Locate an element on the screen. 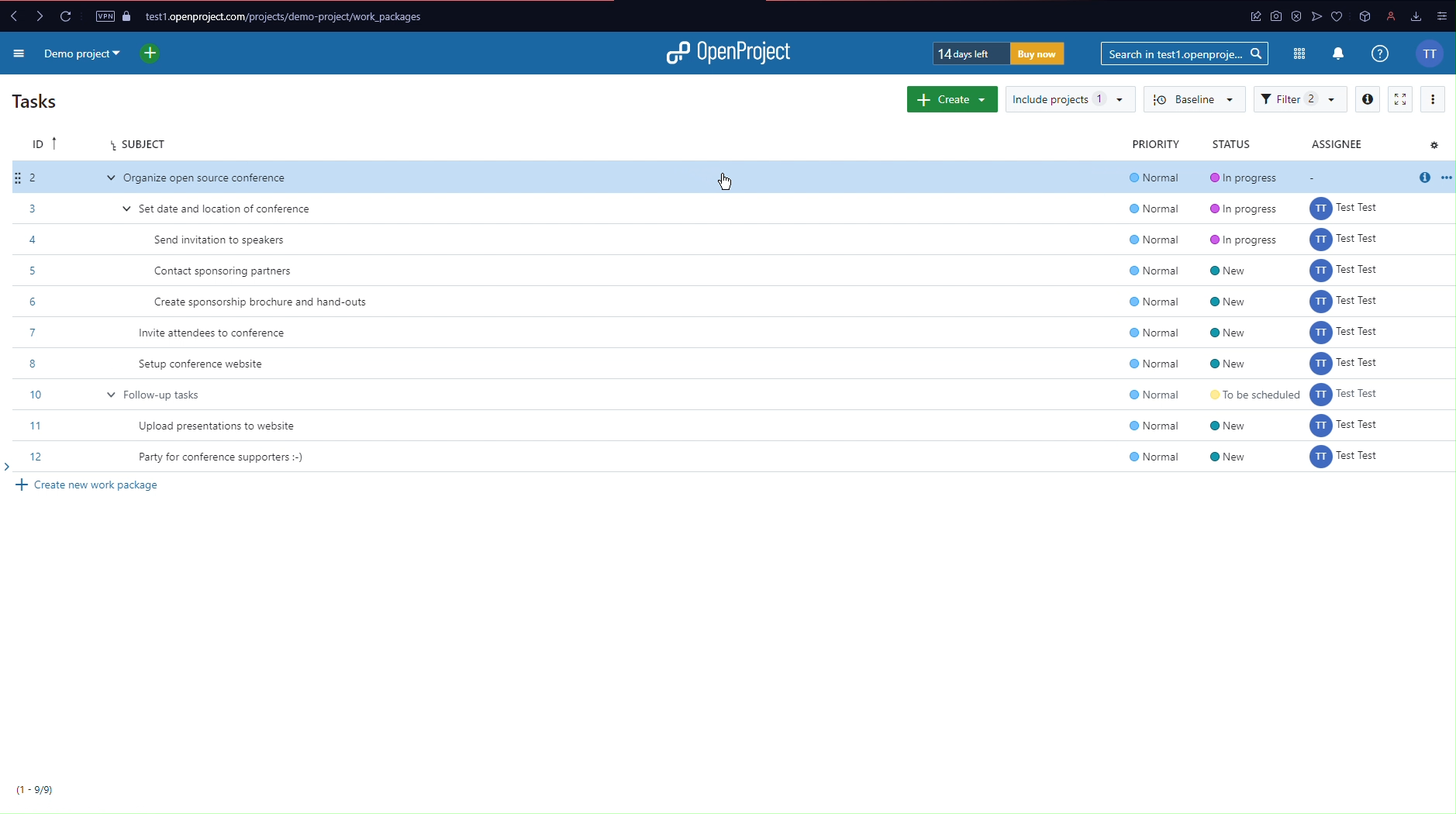 The width and height of the screenshot is (1456, 814). app icon is located at coordinates (1269, 16).